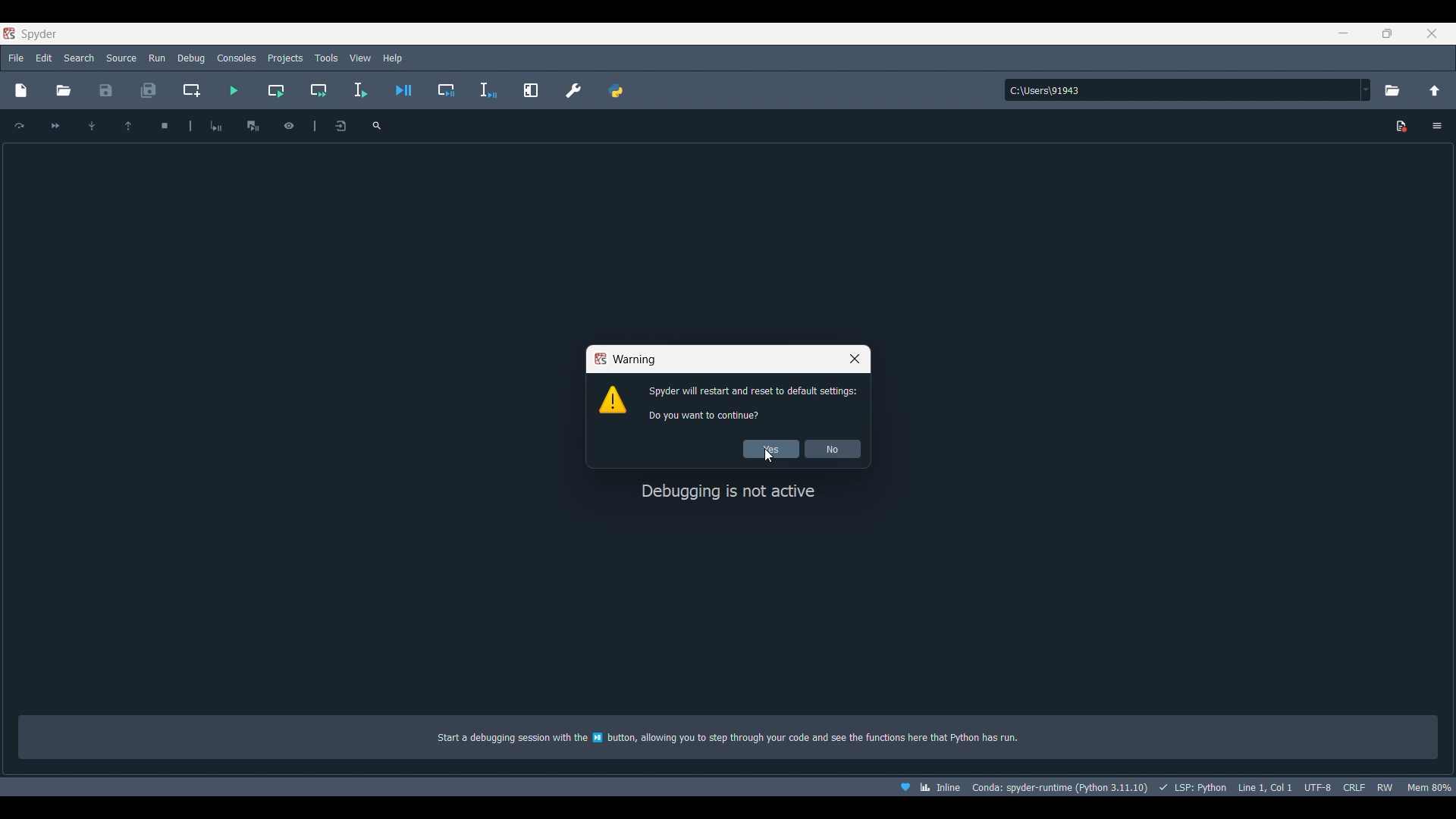 This screenshot has height=819, width=1456. I want to click on LSP: Python, so click(1191, 787).